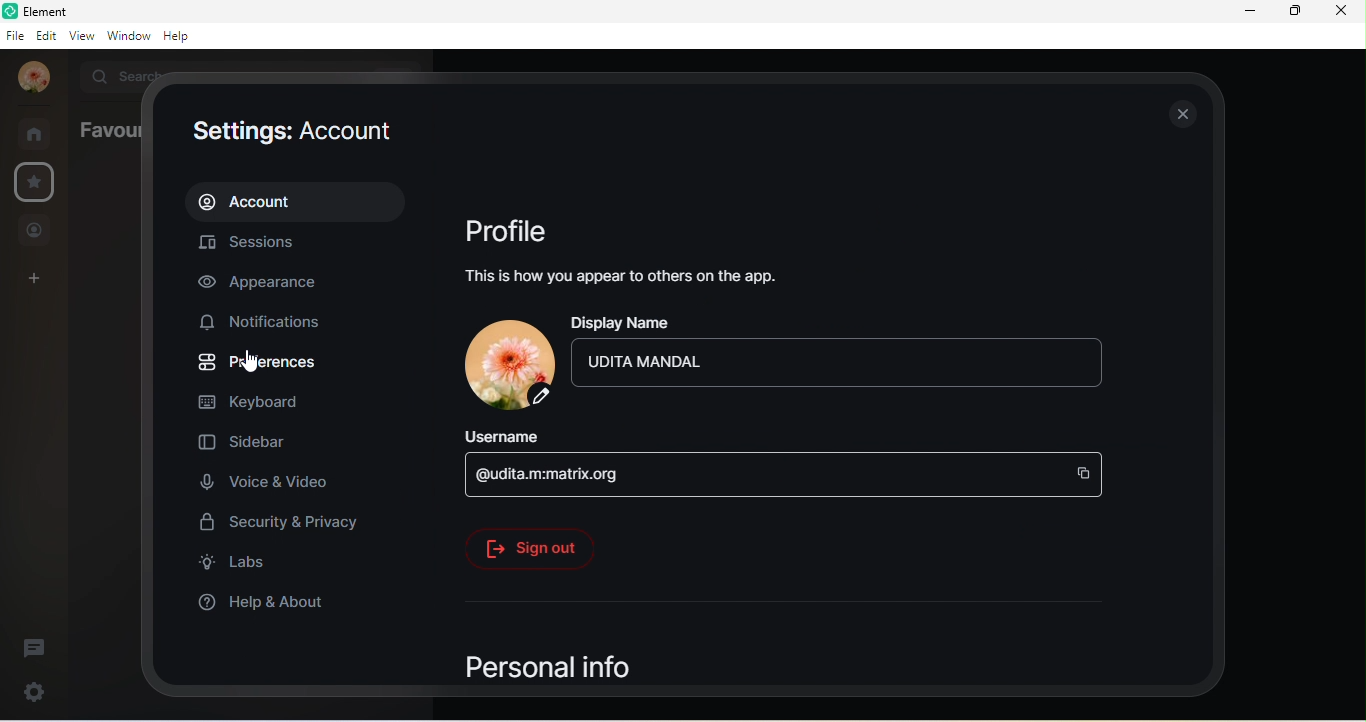 Image resolution: width=1366 pixels, height=722 pixels. What do you see at coordinates (297, 204) in the screenshot?
I see `account` at bounding box center [297, 204].